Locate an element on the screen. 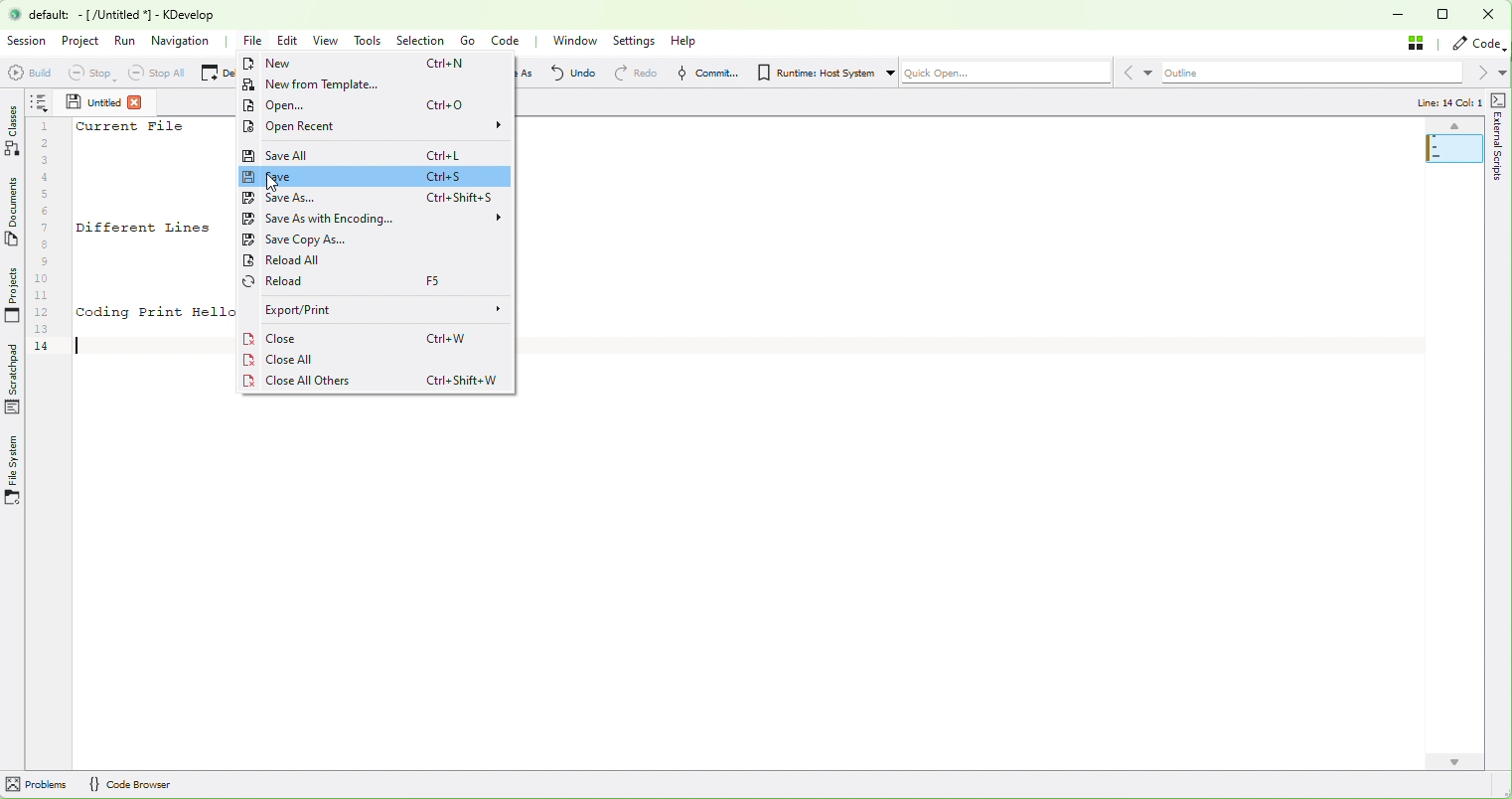 Image resolution: width=1512 pixels, height=799 pixels. Line numbers is located at coordinates (47, 239).